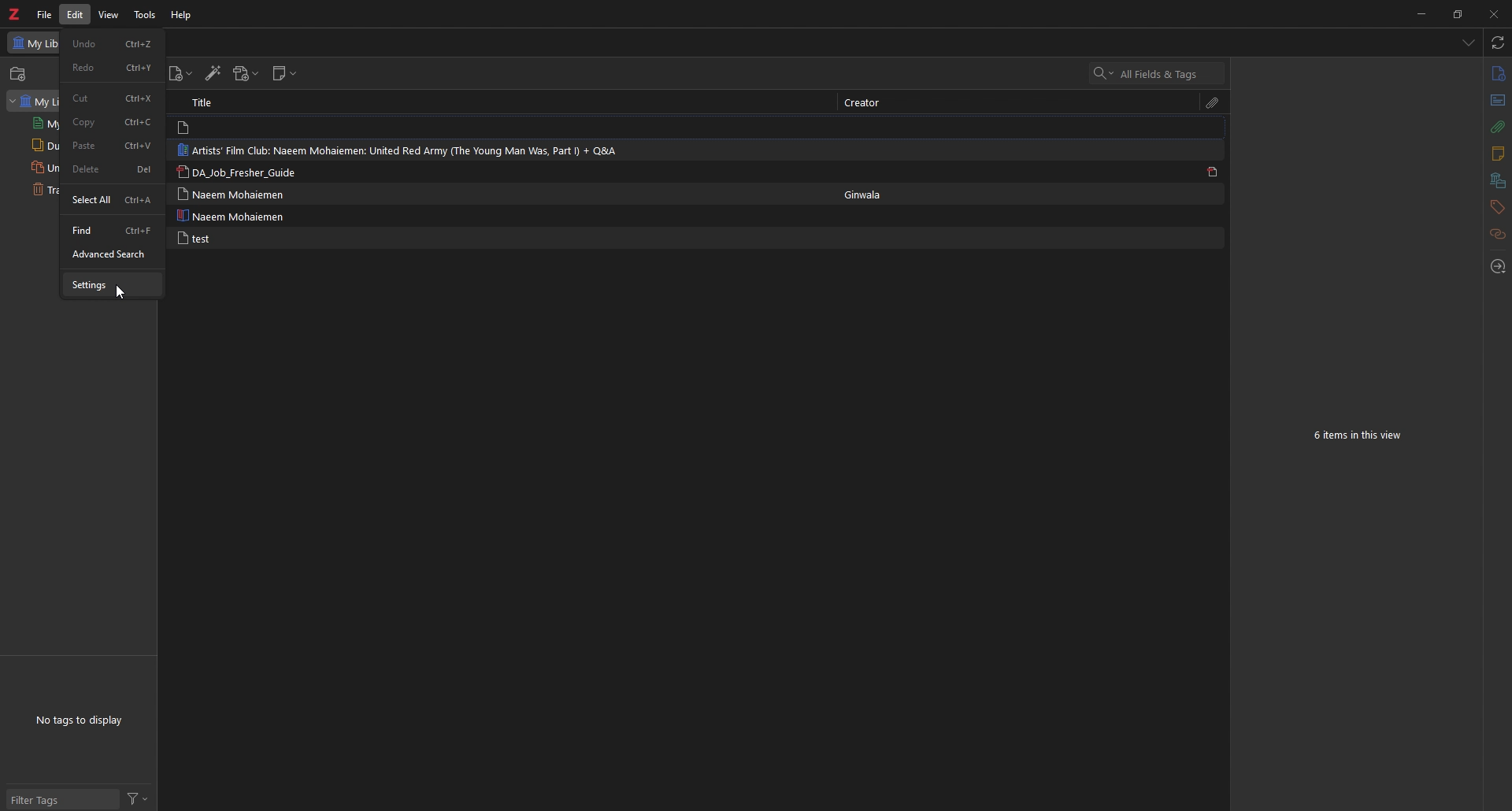  I want to click on cursor, so click(123, 293).